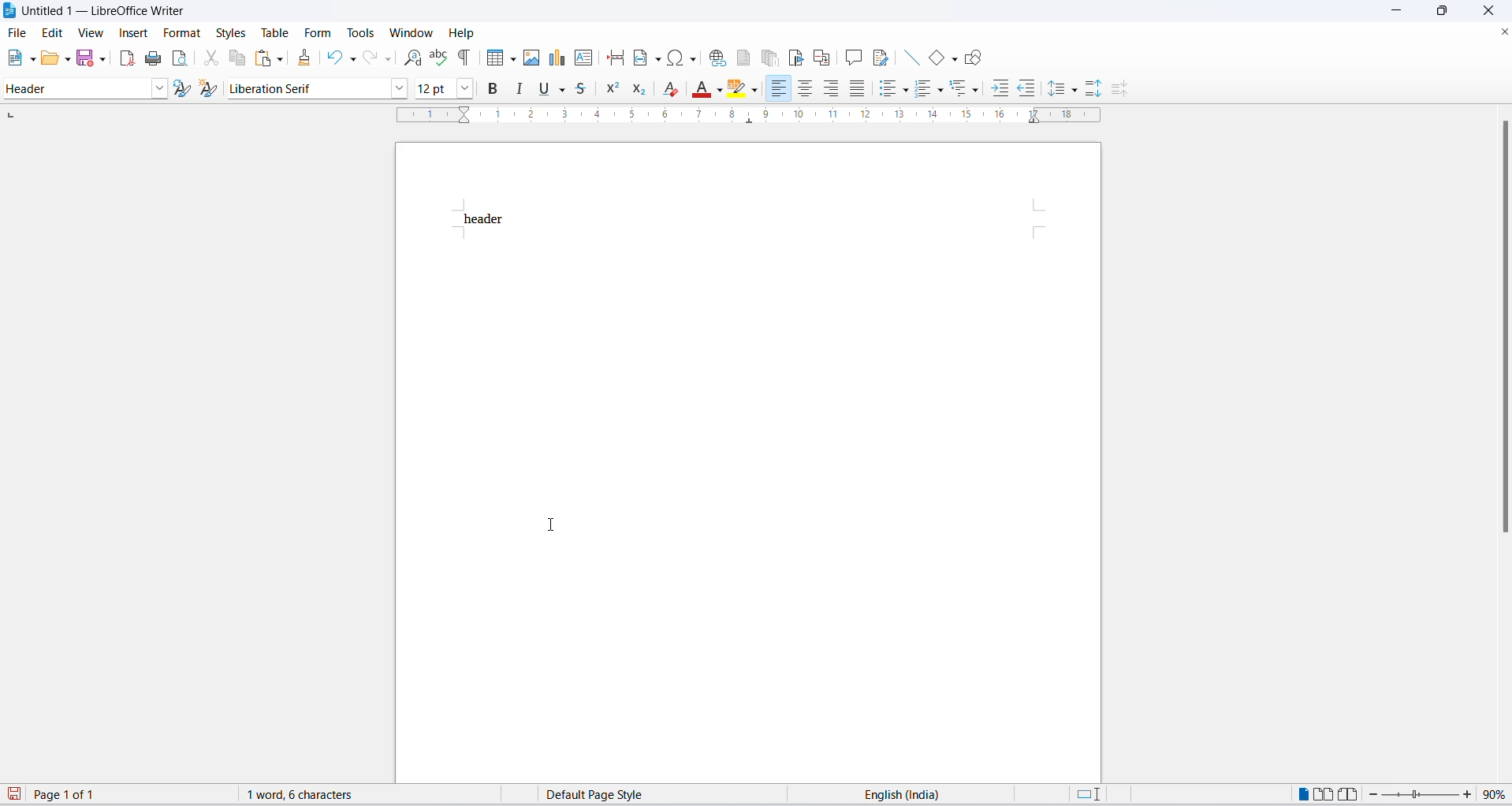  I want to click on maximize, so click(1448, 12).